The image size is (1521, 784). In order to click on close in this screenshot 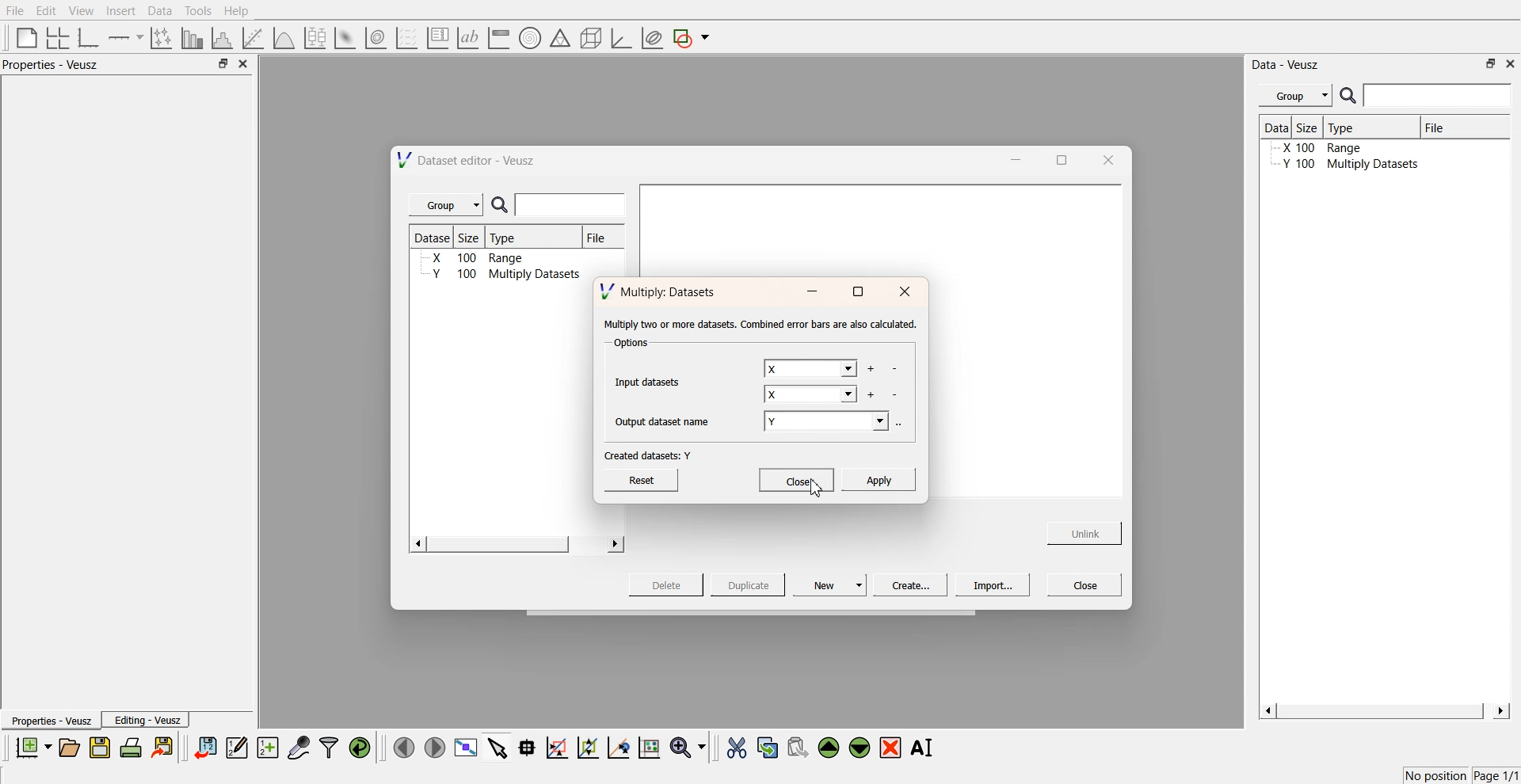, I will do `click(1511, 63)`.